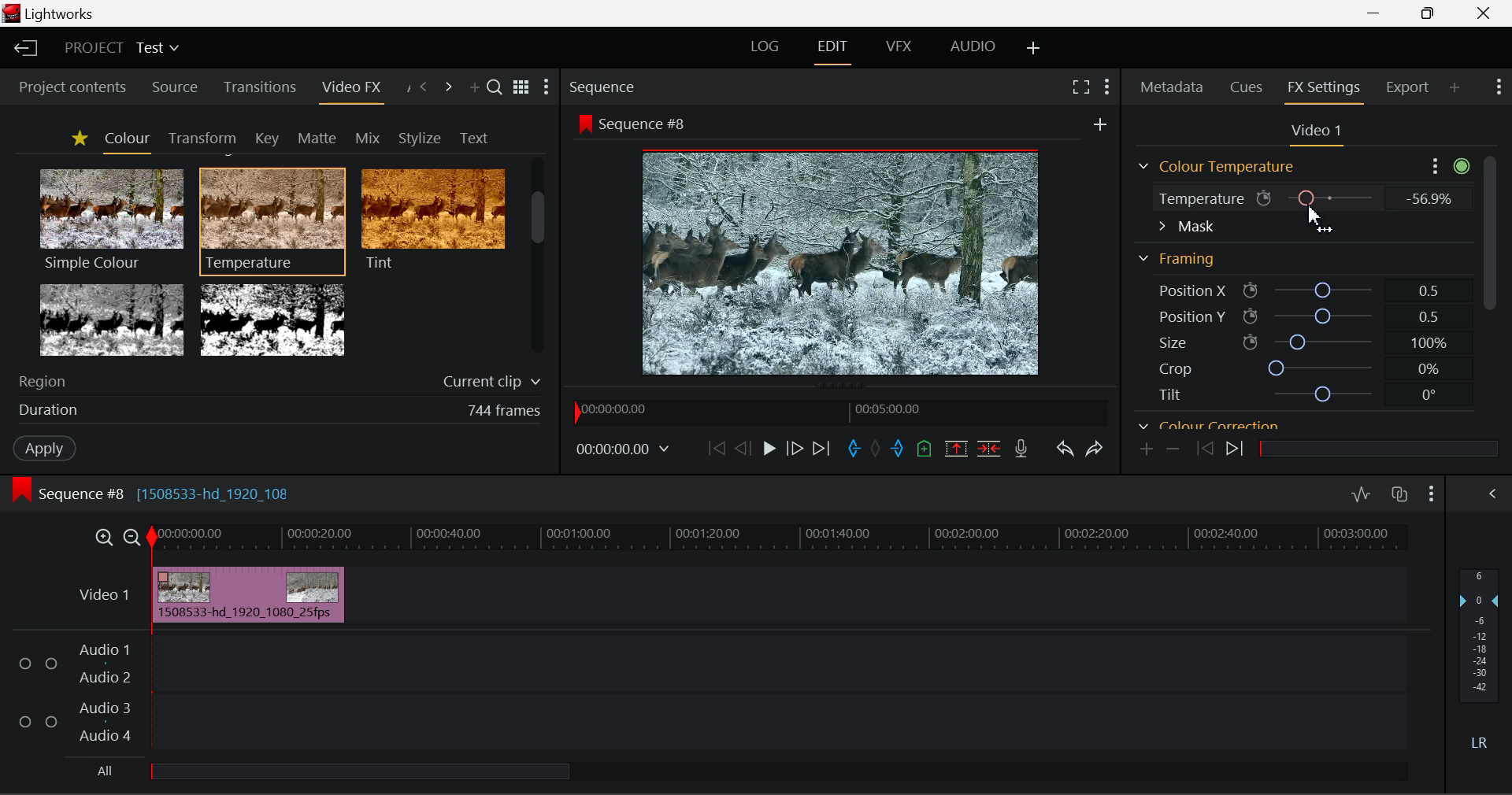 This screenshot has height=795, width=1512. Describe the element at coordinates (1320, 219) in the screenshot. I see `Cursor` at that location.